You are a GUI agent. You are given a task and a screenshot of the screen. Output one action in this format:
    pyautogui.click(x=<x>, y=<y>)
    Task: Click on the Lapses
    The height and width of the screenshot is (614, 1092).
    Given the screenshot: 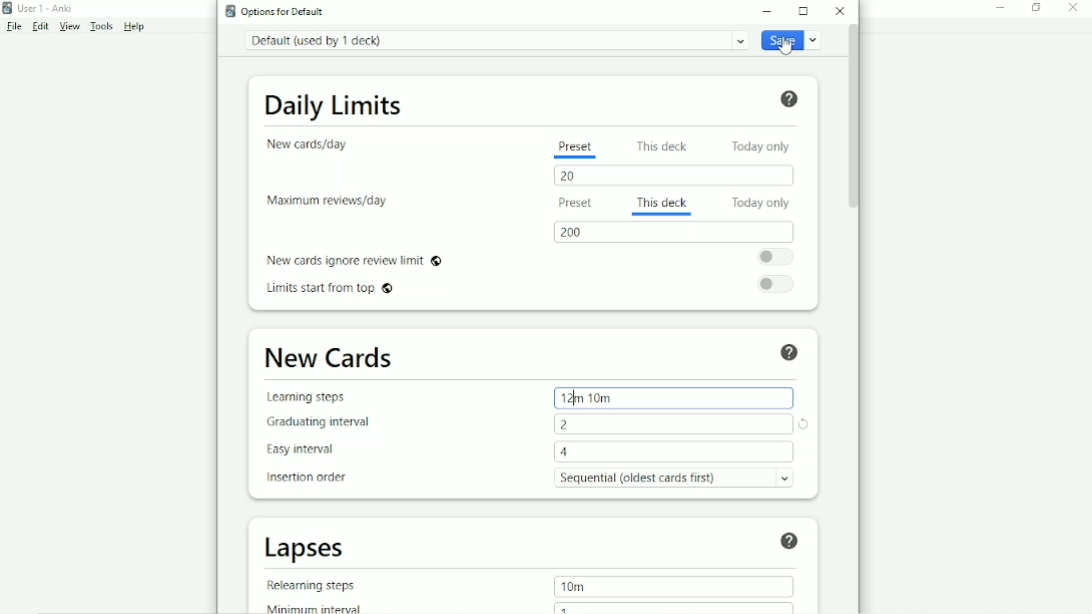 What is the action you would take?
    pyautogui.click(x=308, y=549)
    